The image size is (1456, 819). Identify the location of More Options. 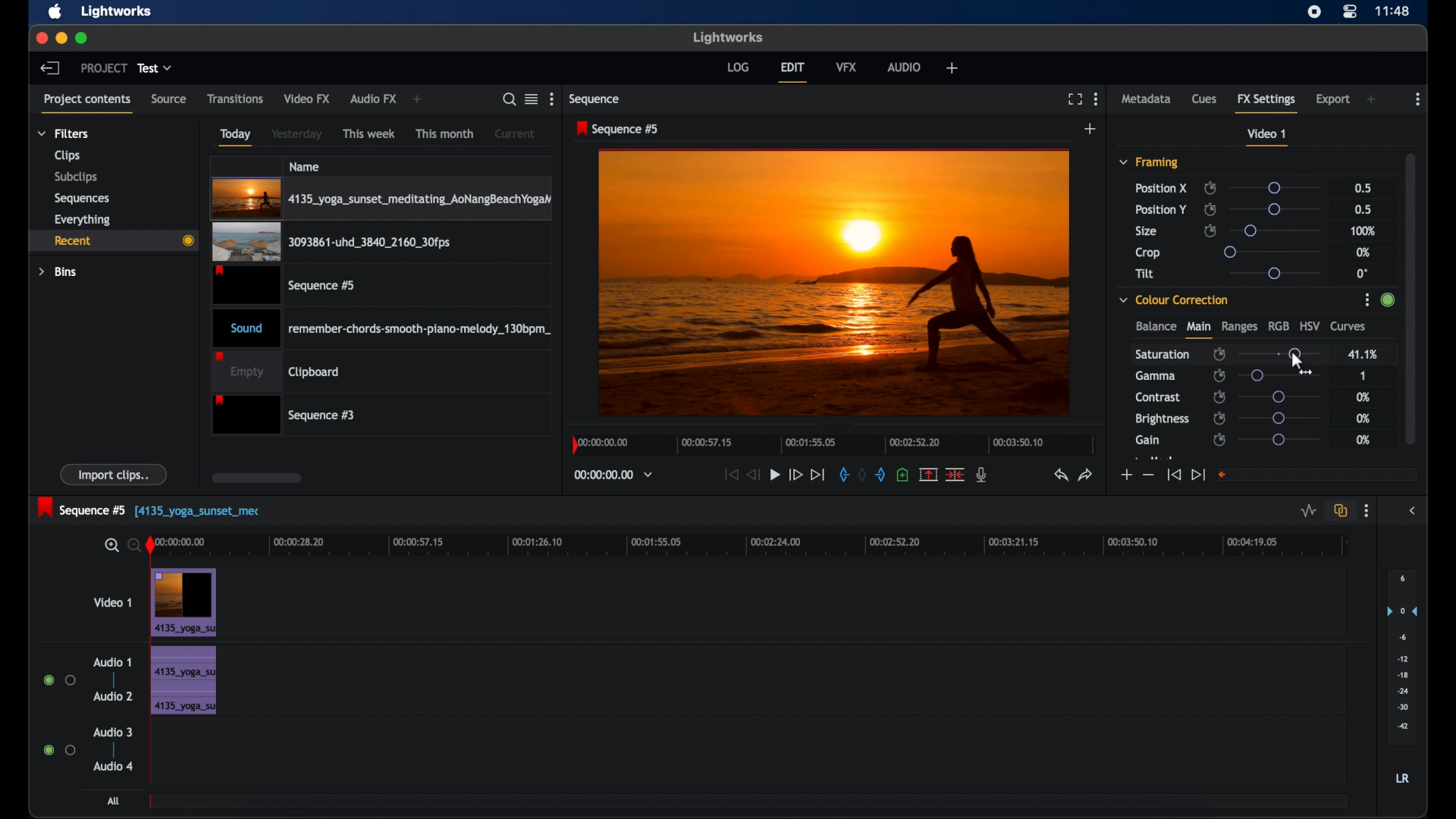
(1369, 301).